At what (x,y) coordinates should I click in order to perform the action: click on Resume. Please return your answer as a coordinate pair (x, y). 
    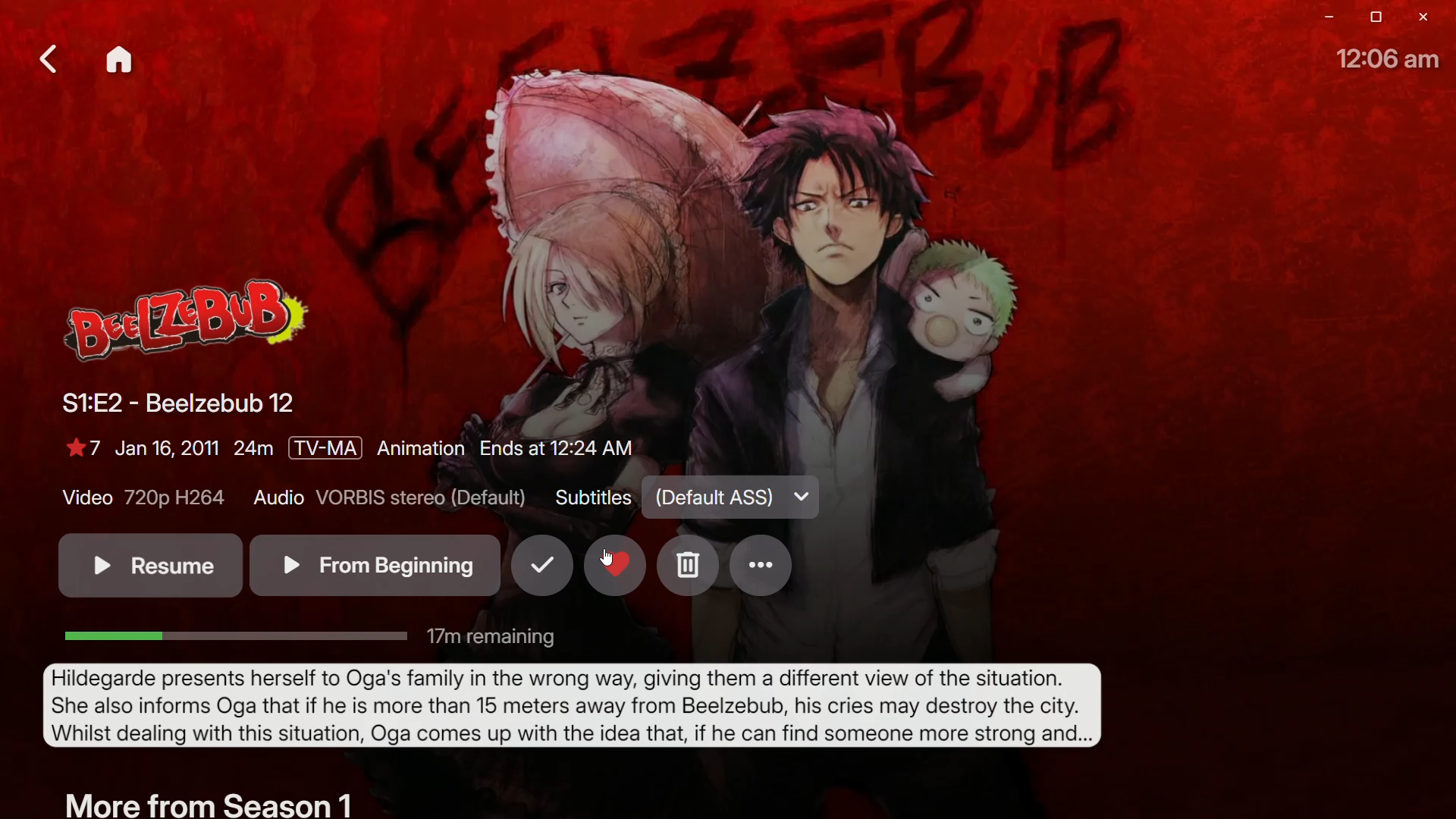
    Looking at the image, I should click on (140, 569).